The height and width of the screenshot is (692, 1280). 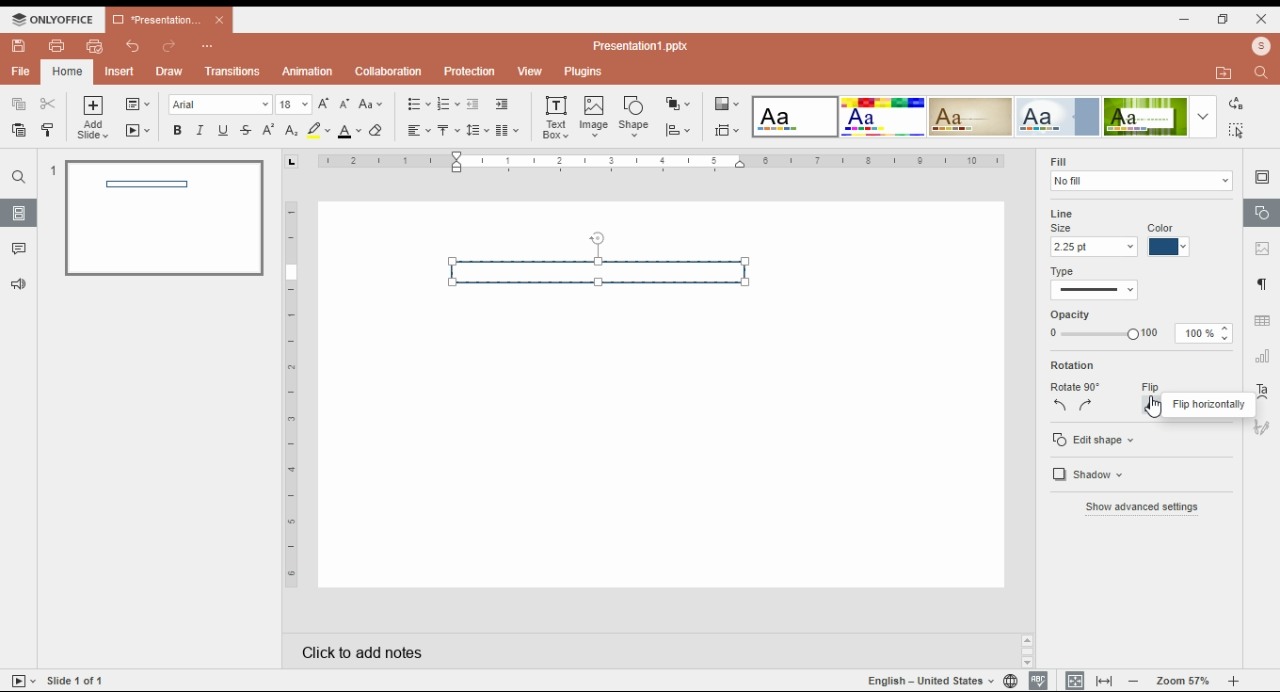 What do you see at coordinates (18, 177) in the screenshot?
I see `find` at bounding box center [18, 177].